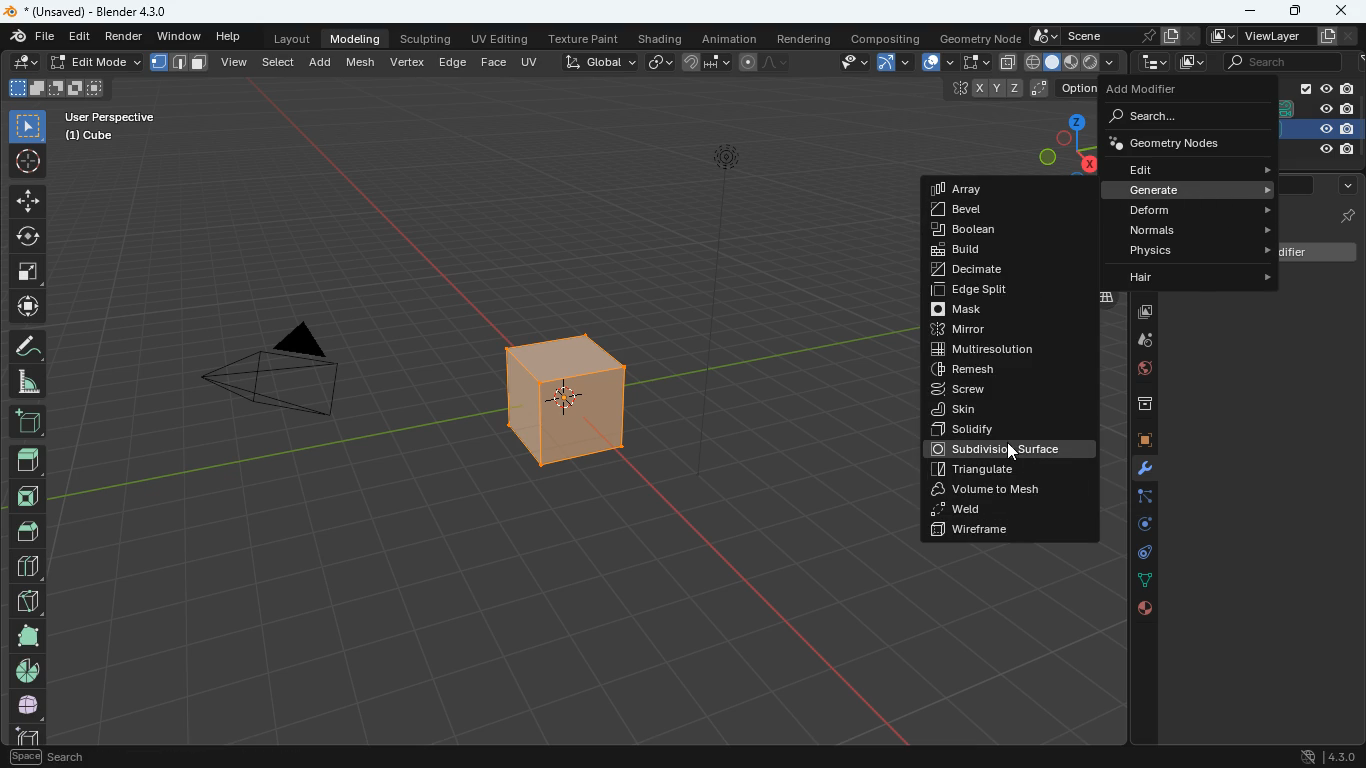  Describe the element at coordinates (28, 708) in the screenshot. I see `whole` at that location.